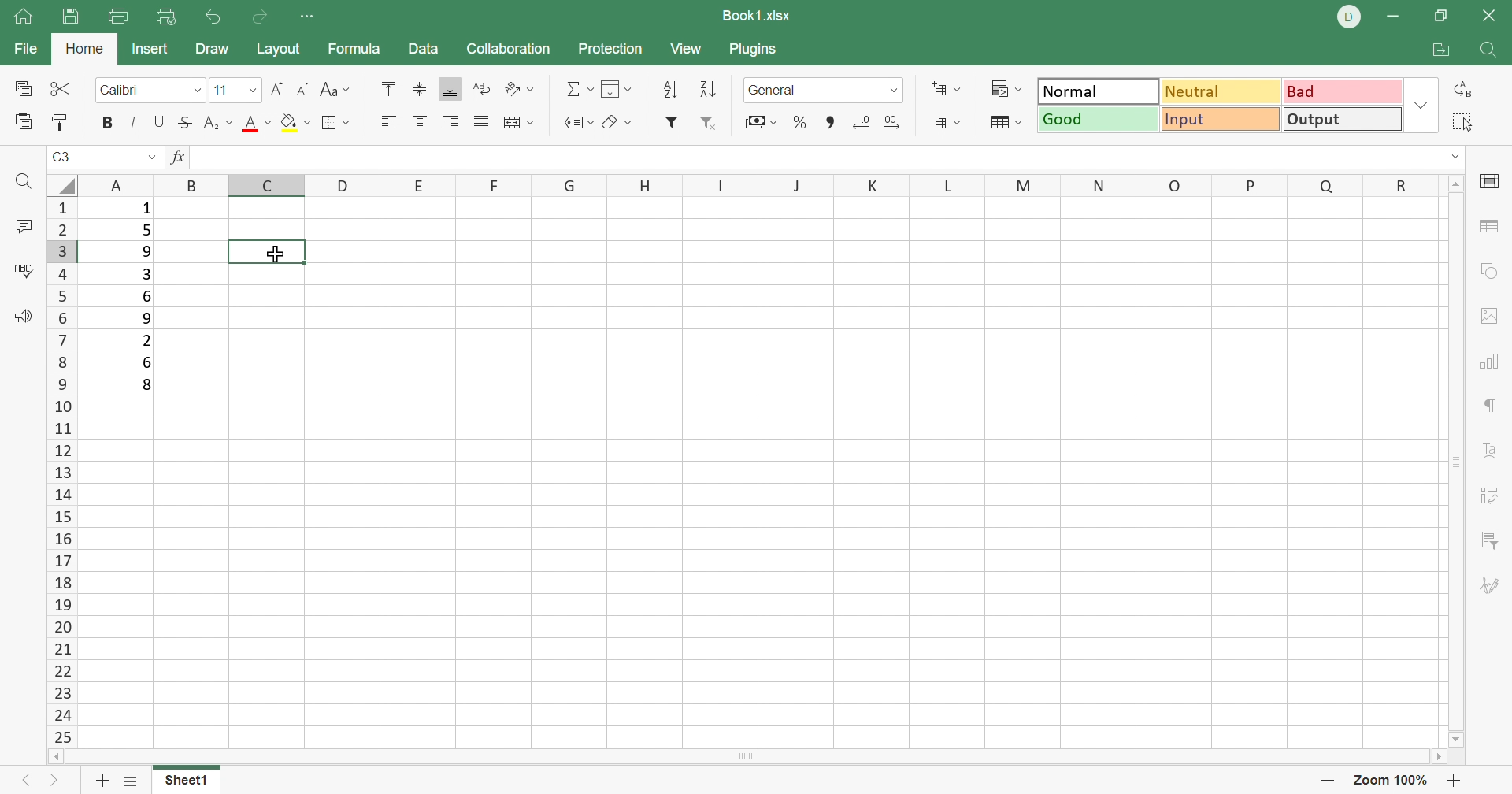 This screenshot has height=794, width=1512. Describe the element at coordinates (862, 123) in the screenshot. I see `Decrease decimal` at that location.